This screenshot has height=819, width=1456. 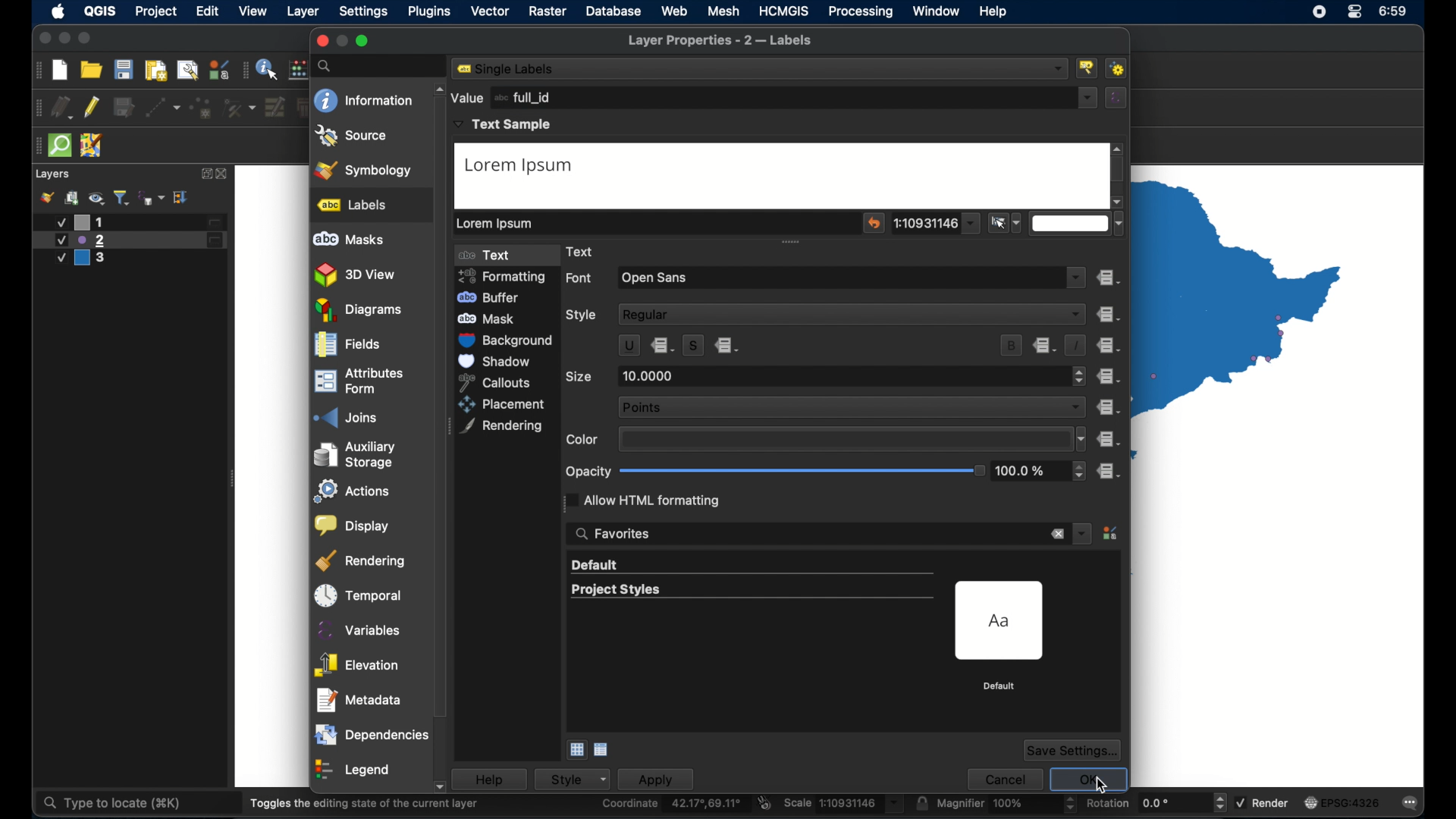 I want to click on full_id, so click(x=525, y=97).